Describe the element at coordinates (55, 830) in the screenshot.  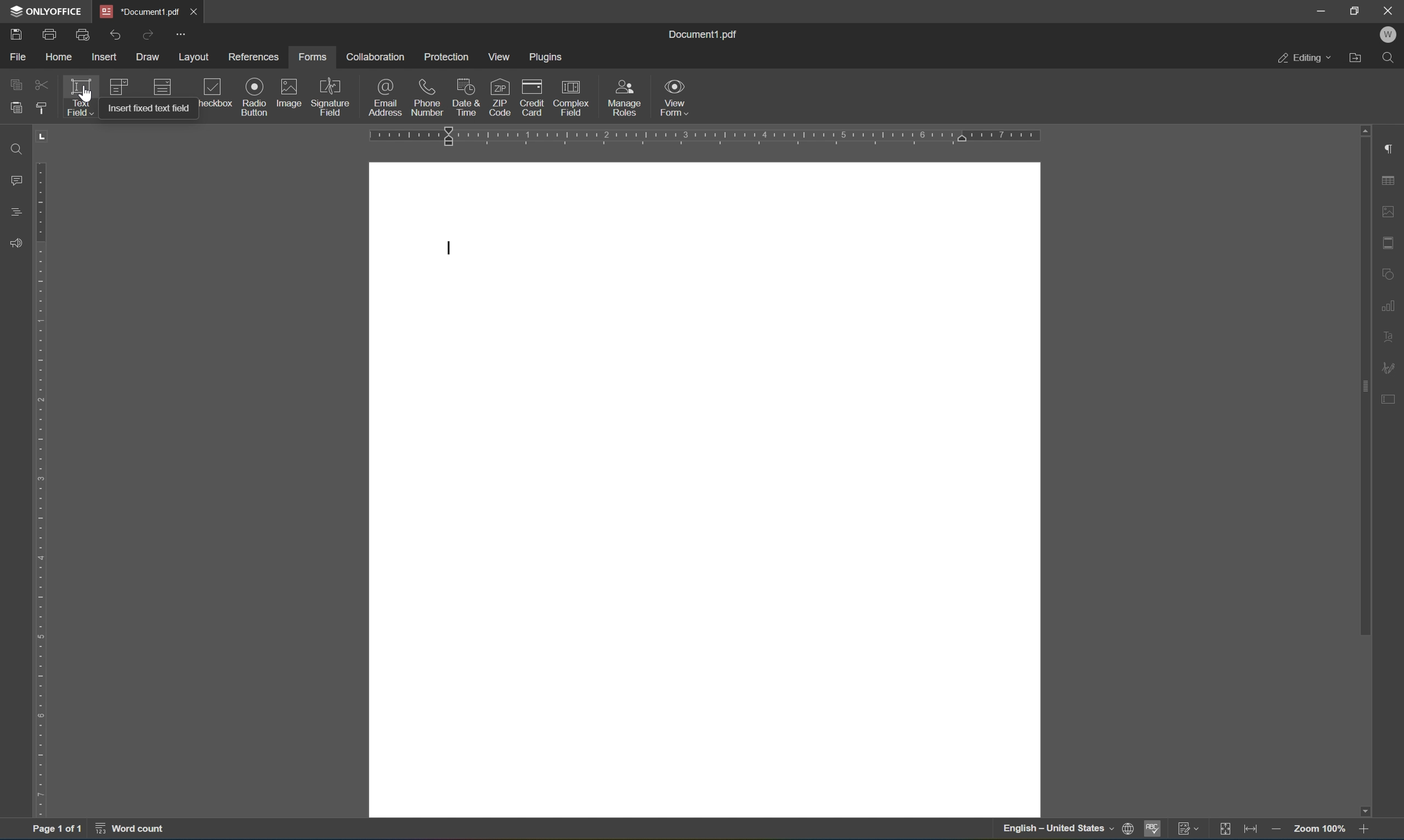
I see `page 1 of 1` at that location.